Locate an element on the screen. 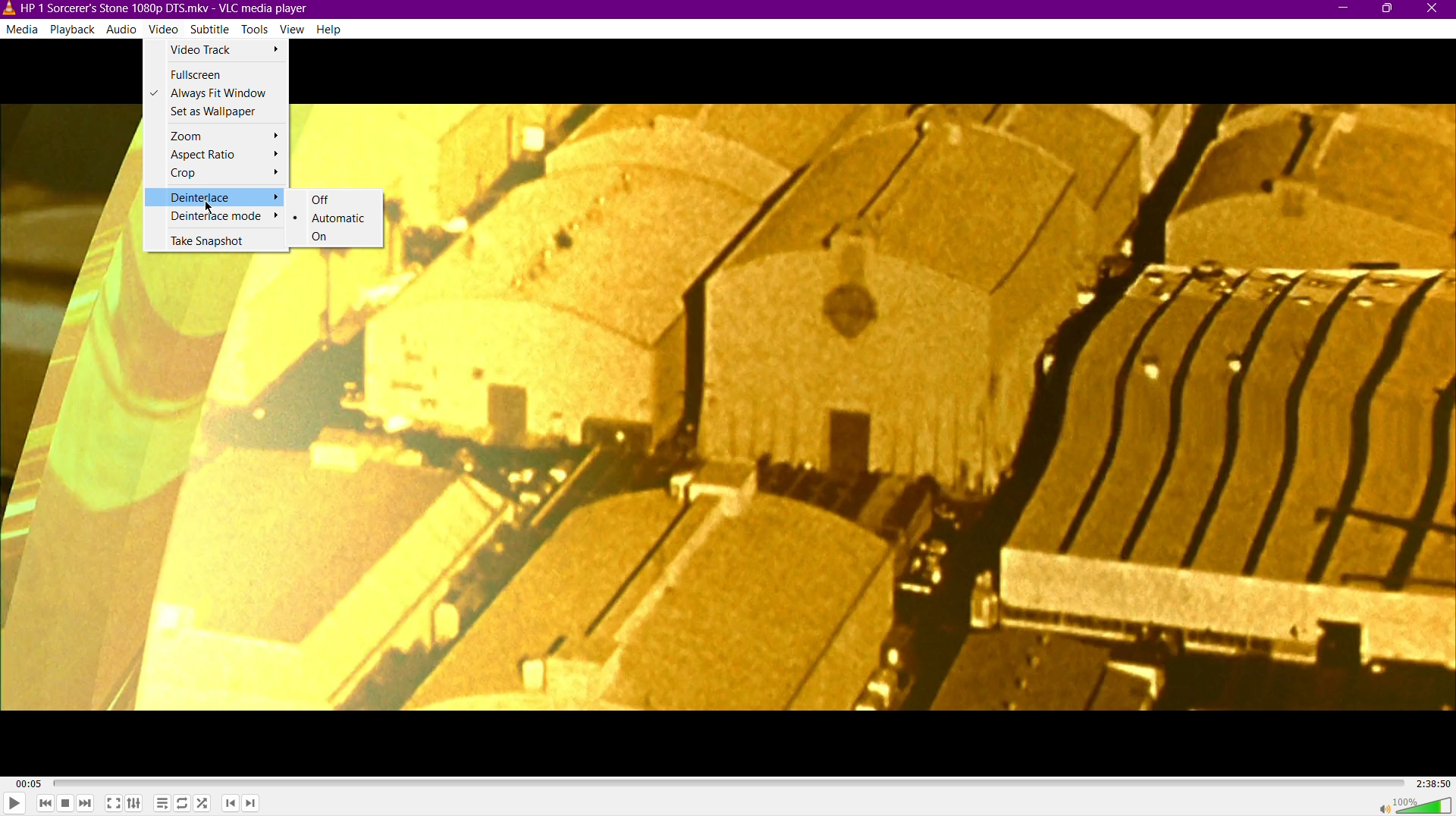  Next Chapter is located at coordinates (251, 804).